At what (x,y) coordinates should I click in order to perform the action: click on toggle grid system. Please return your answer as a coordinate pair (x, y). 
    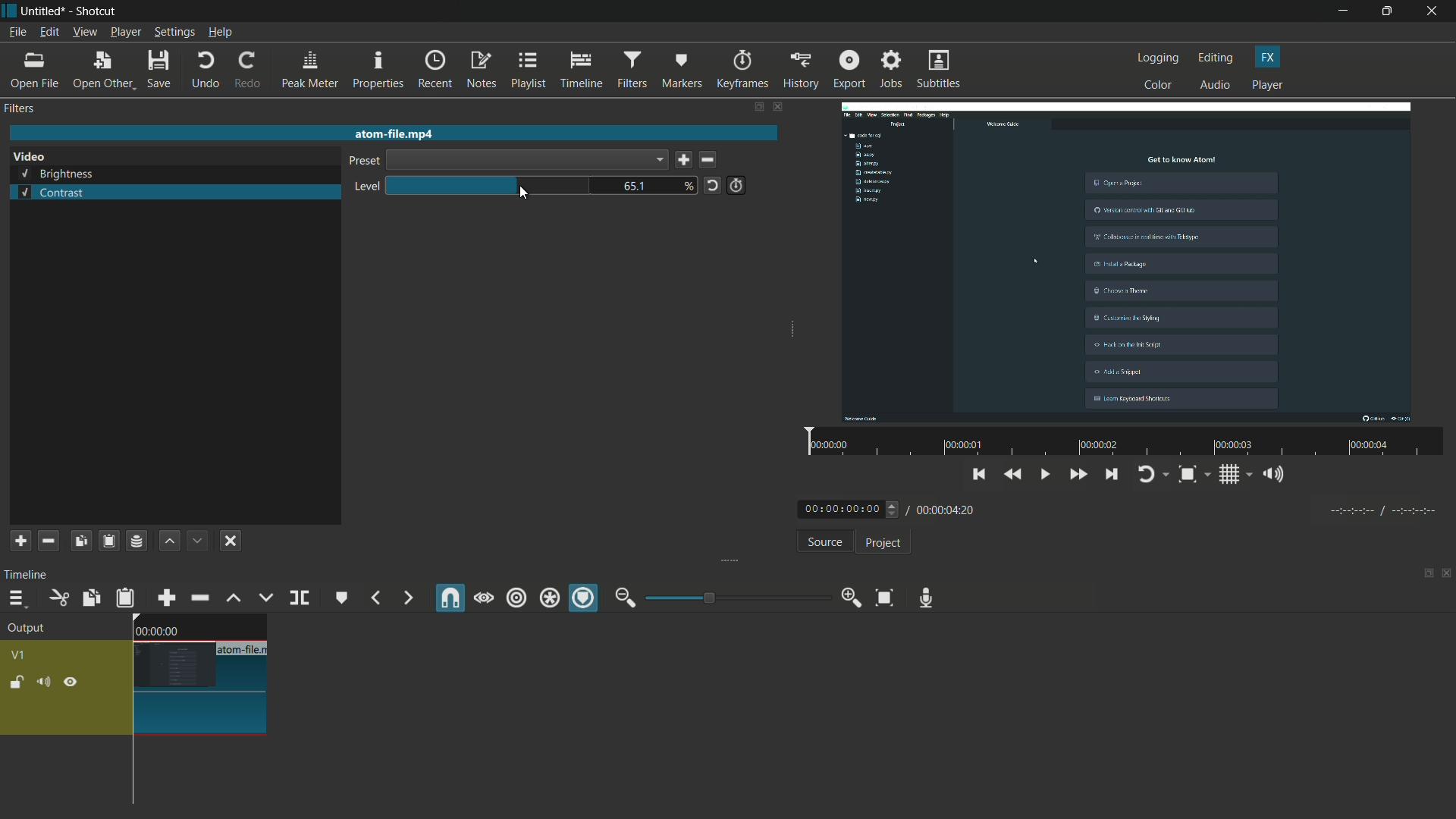
    Looking at the image, I should click on (1237, 477).